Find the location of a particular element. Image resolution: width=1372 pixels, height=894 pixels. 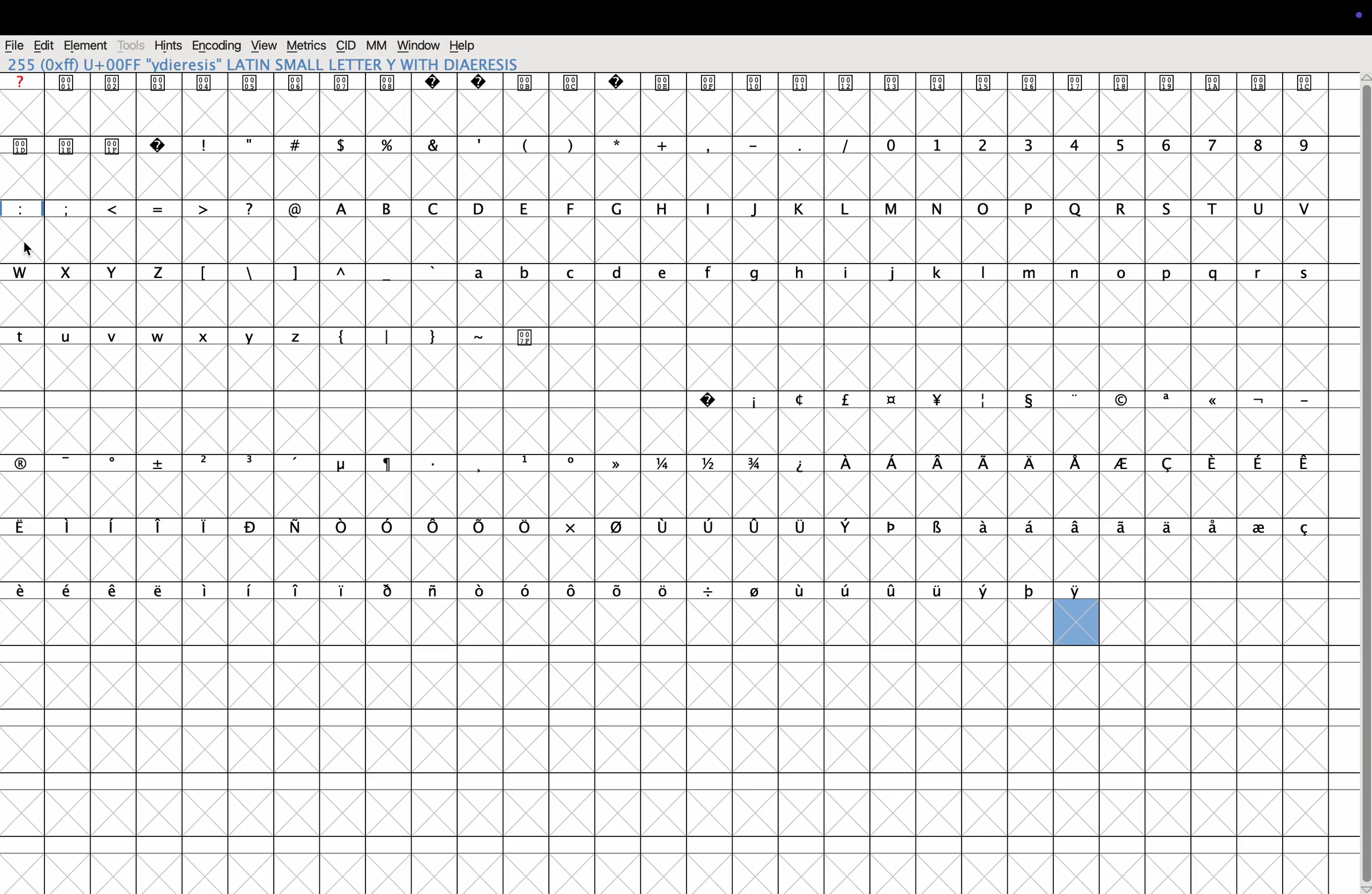

I is located at coordinates (849, 294).